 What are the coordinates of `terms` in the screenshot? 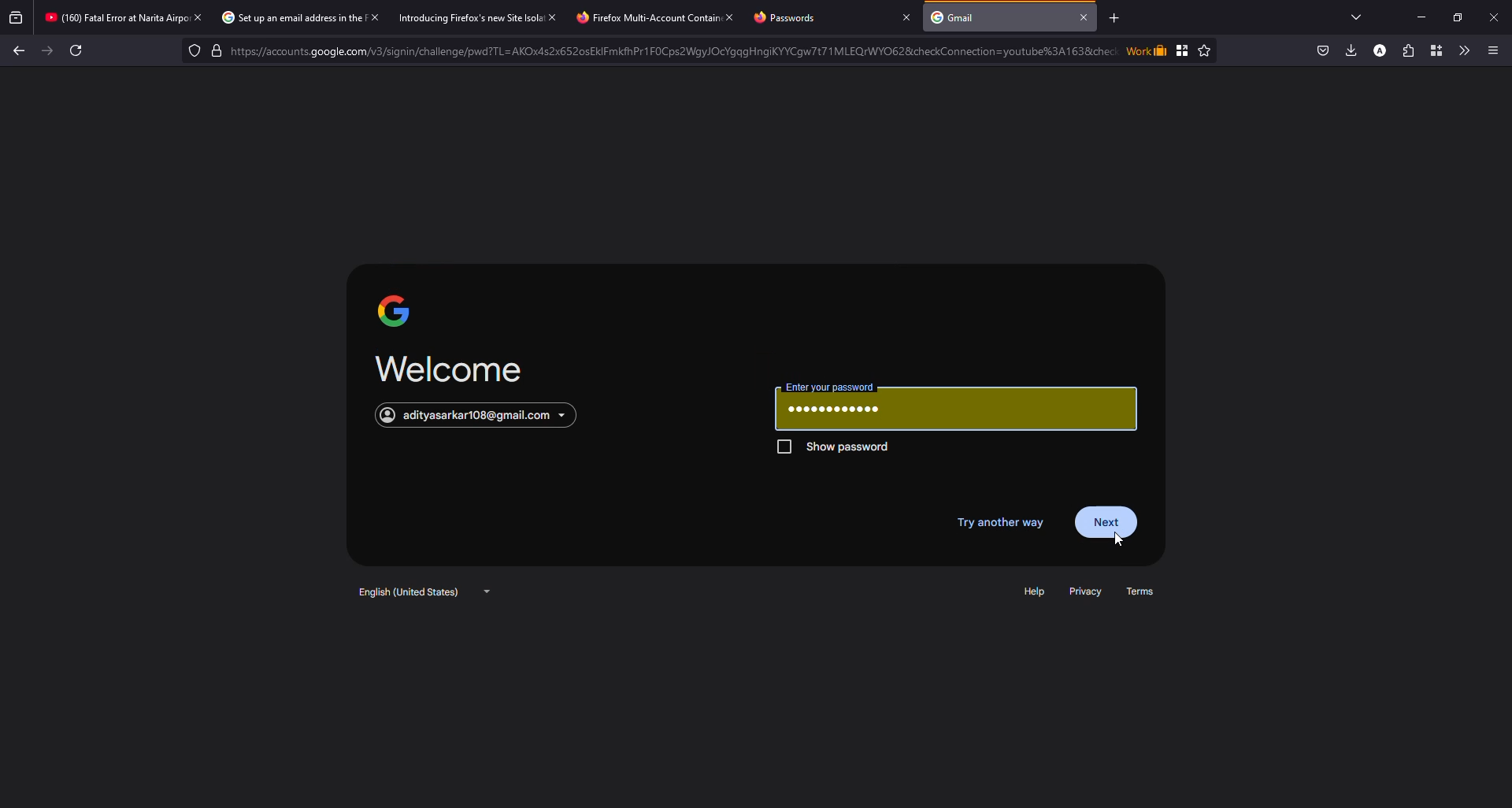 It's located at (1147, 595).